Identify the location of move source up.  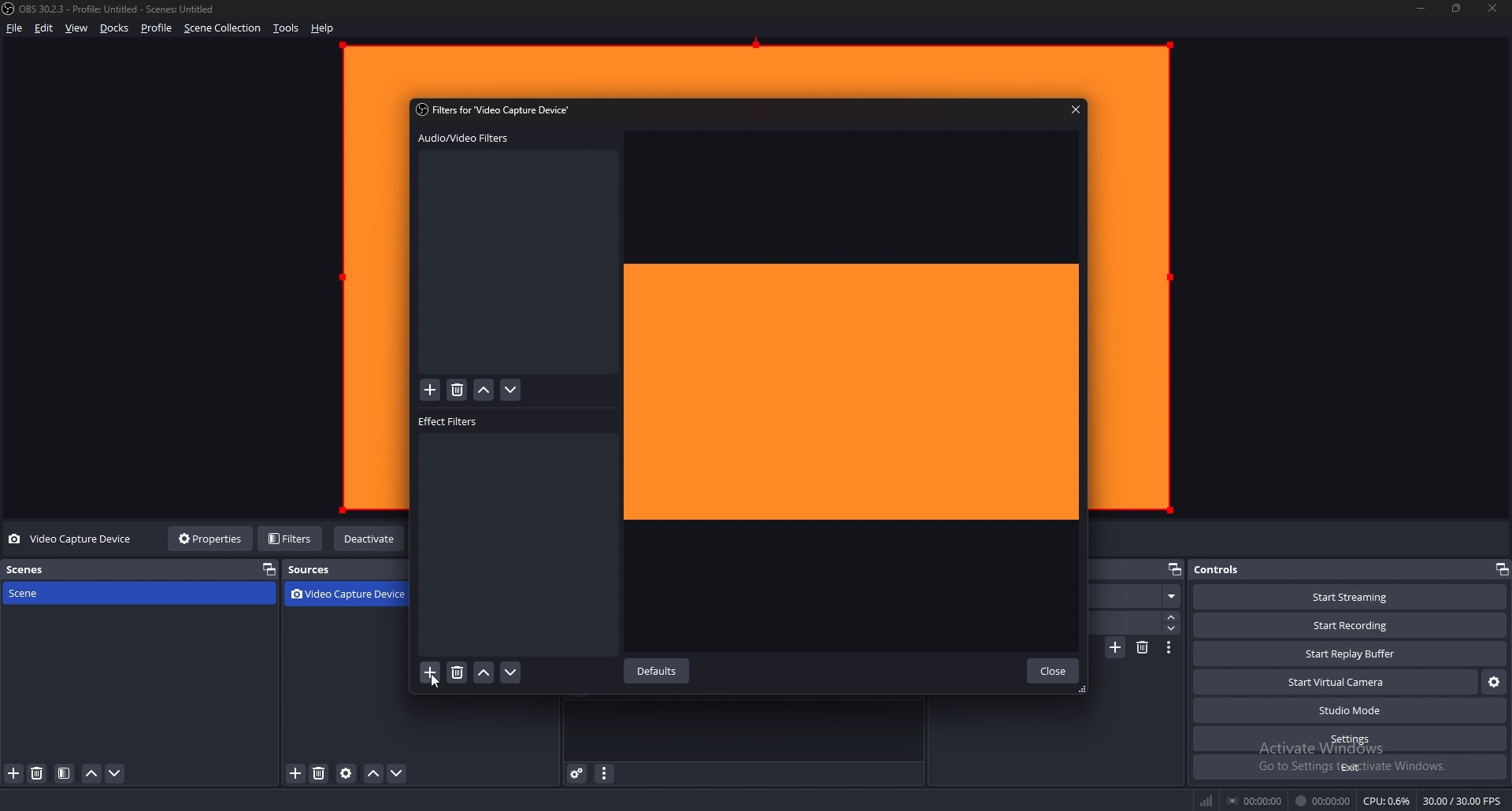
(373, 775).